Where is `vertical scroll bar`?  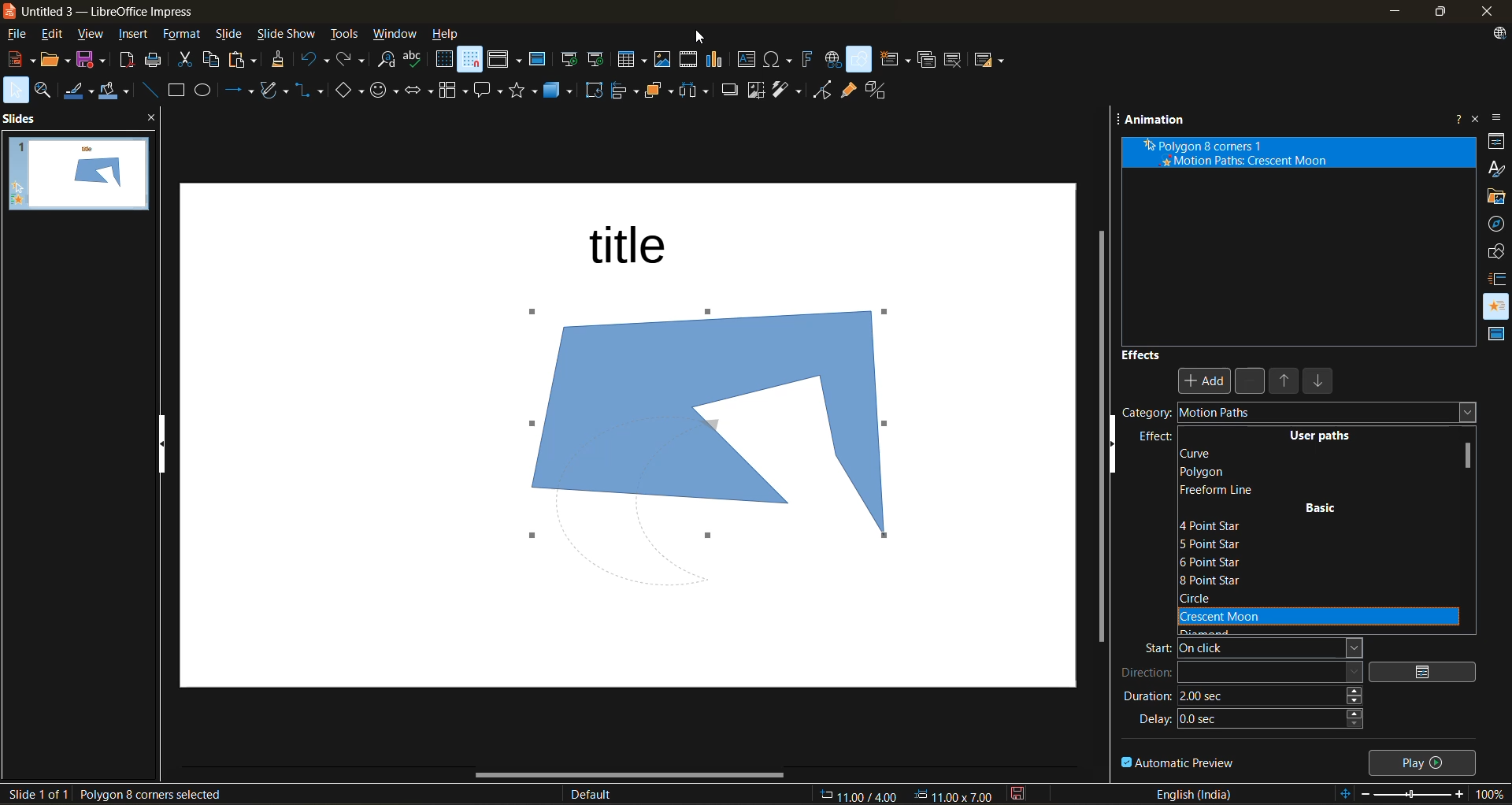 vertical scroll bar is located at coordinates (1096, 434).